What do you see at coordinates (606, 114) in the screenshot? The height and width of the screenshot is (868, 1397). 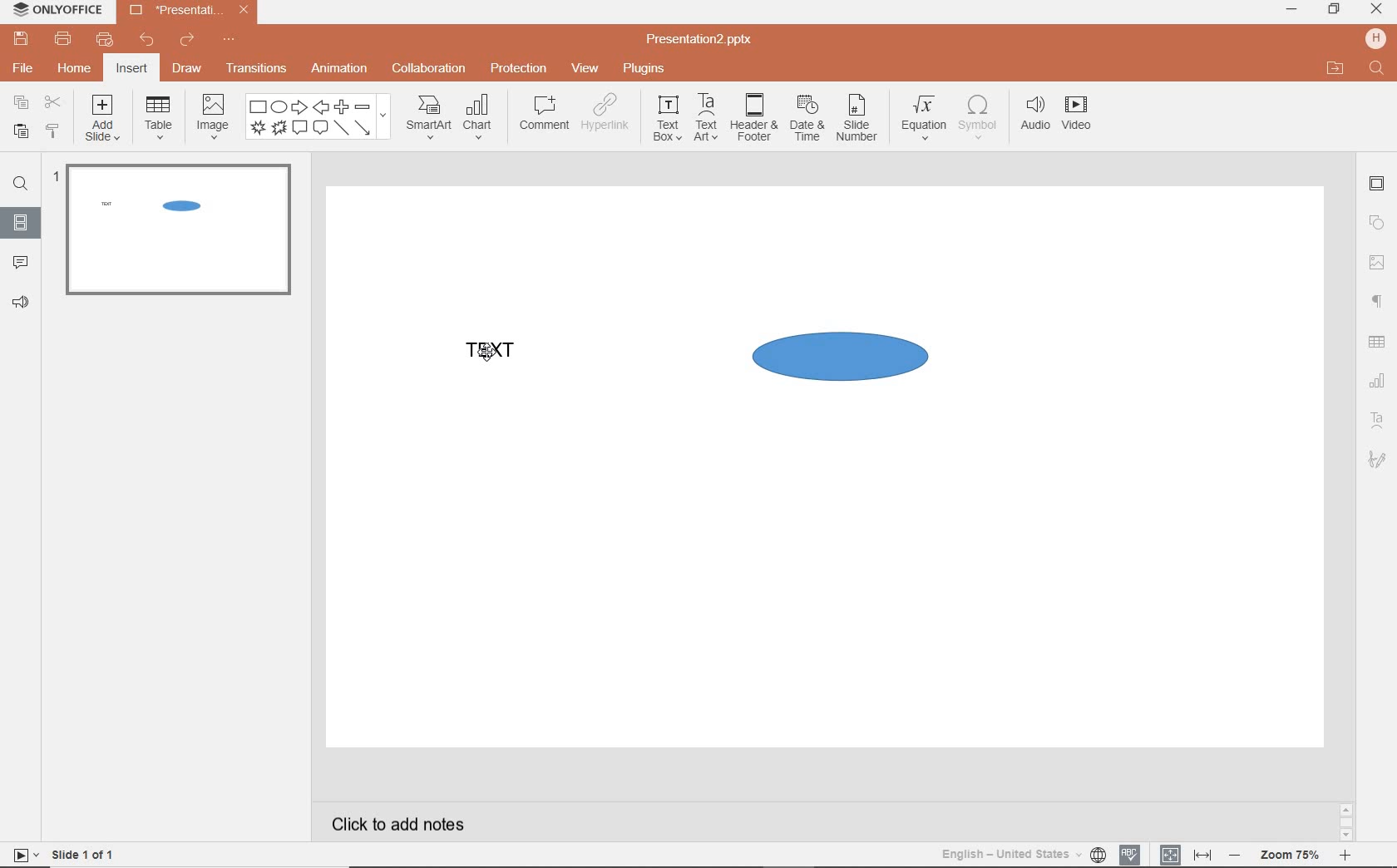 I see `hyperlink` at bounding box center [606, 114].